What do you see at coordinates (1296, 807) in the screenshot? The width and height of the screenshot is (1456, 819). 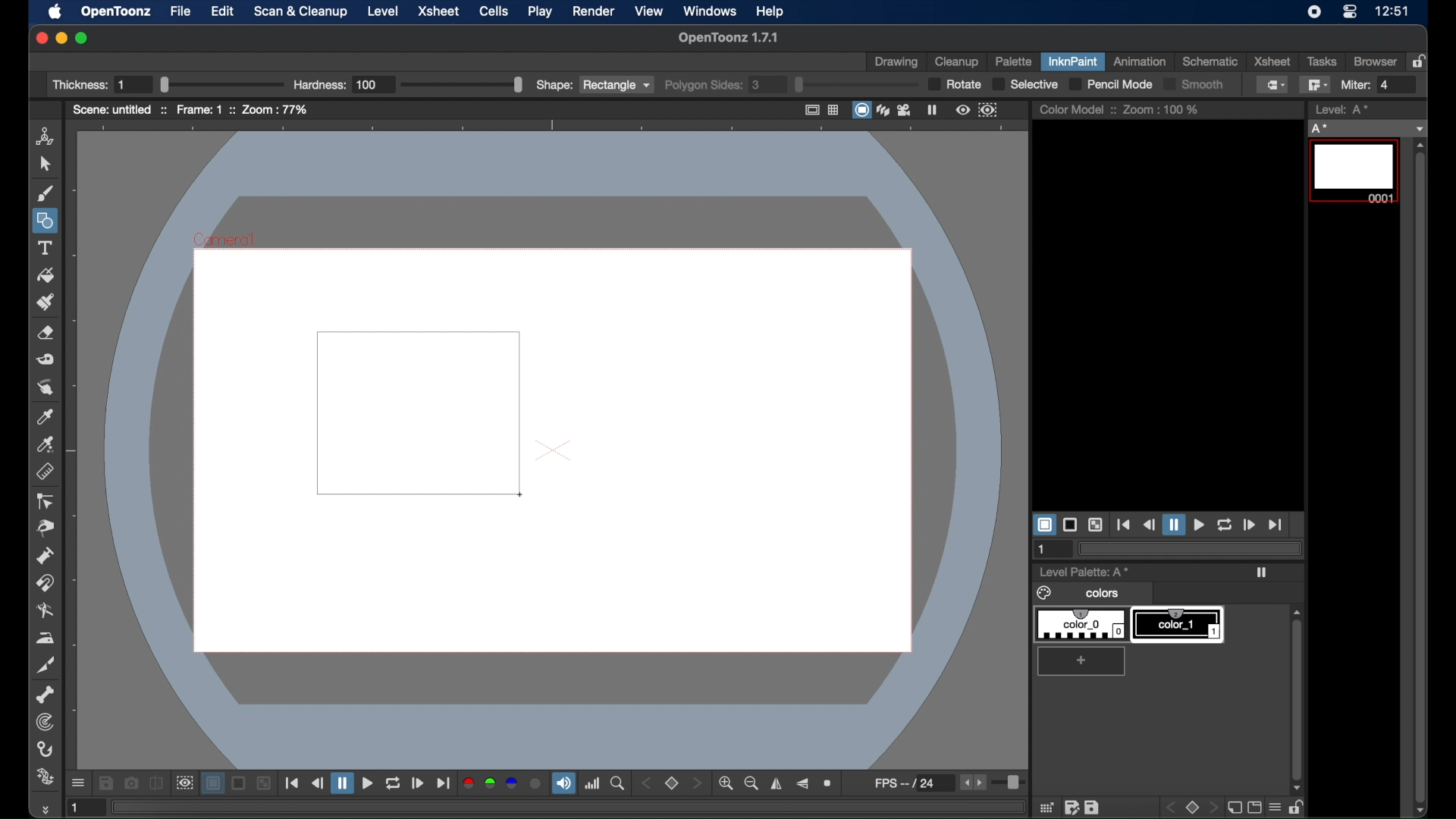 I see `unlock` at bounding box center [1296, 807].